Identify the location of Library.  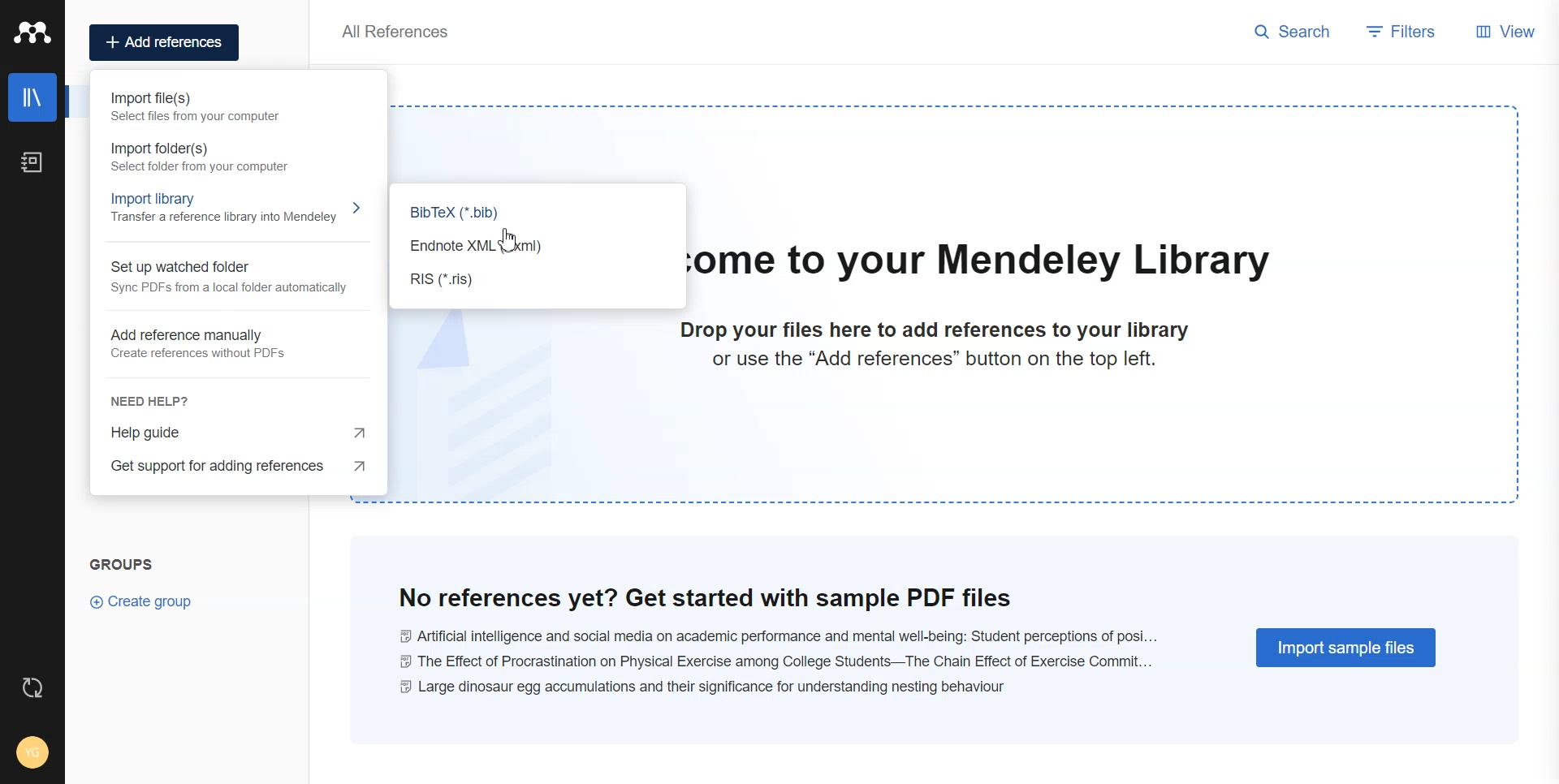
(33, 97).